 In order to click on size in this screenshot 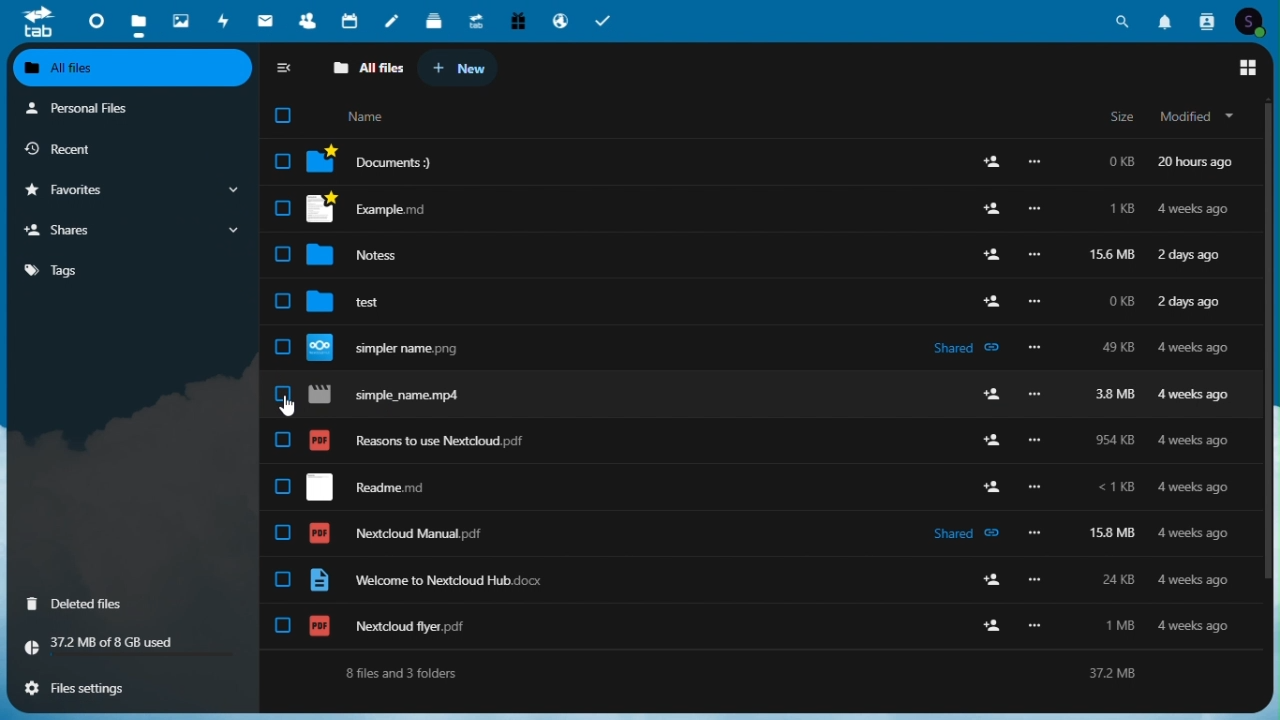, I will do `click(1124, 119)`.